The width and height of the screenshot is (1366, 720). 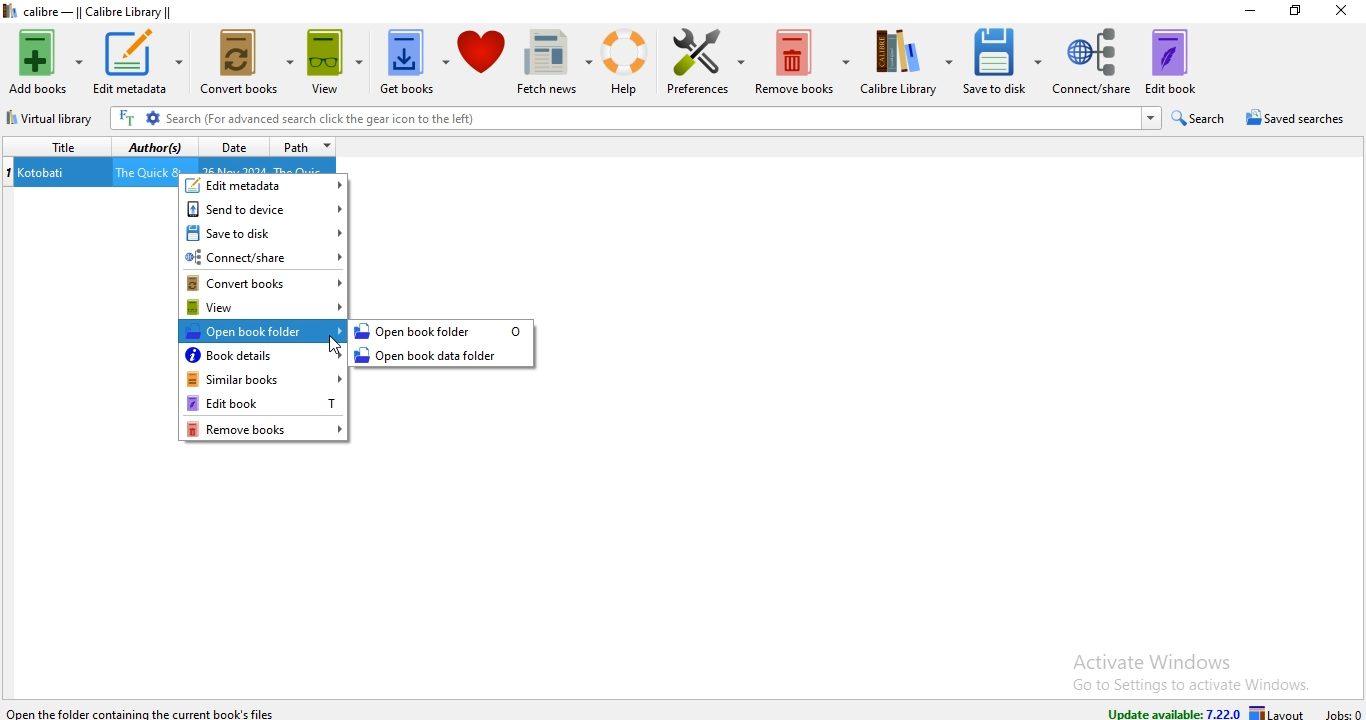 What do you see at coordinates (442, 355) in the screenshot?
I see `open book data folder` at bounding box center [442, 355].